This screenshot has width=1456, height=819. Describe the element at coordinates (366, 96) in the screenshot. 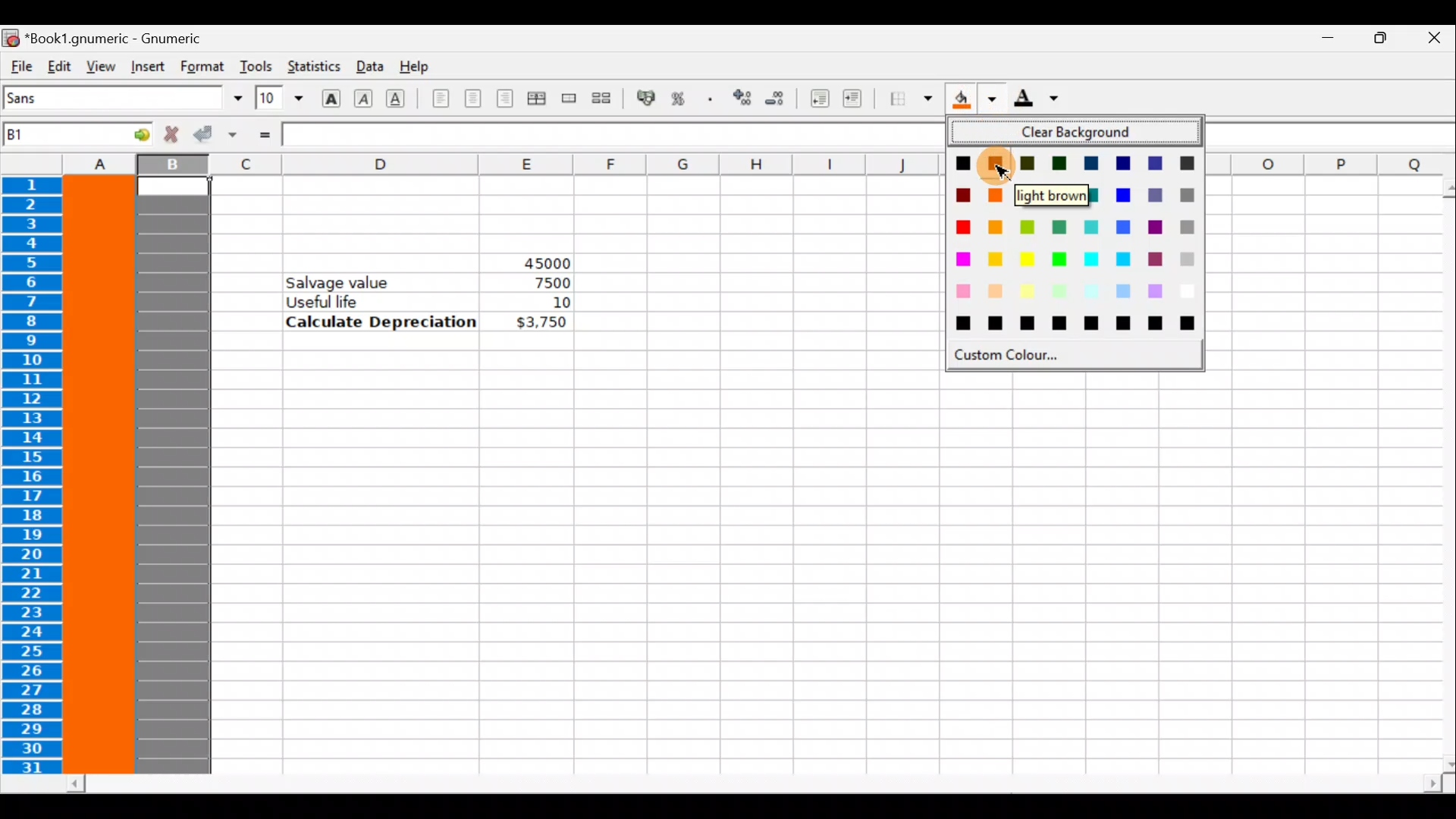

I see `Italic` at that location.